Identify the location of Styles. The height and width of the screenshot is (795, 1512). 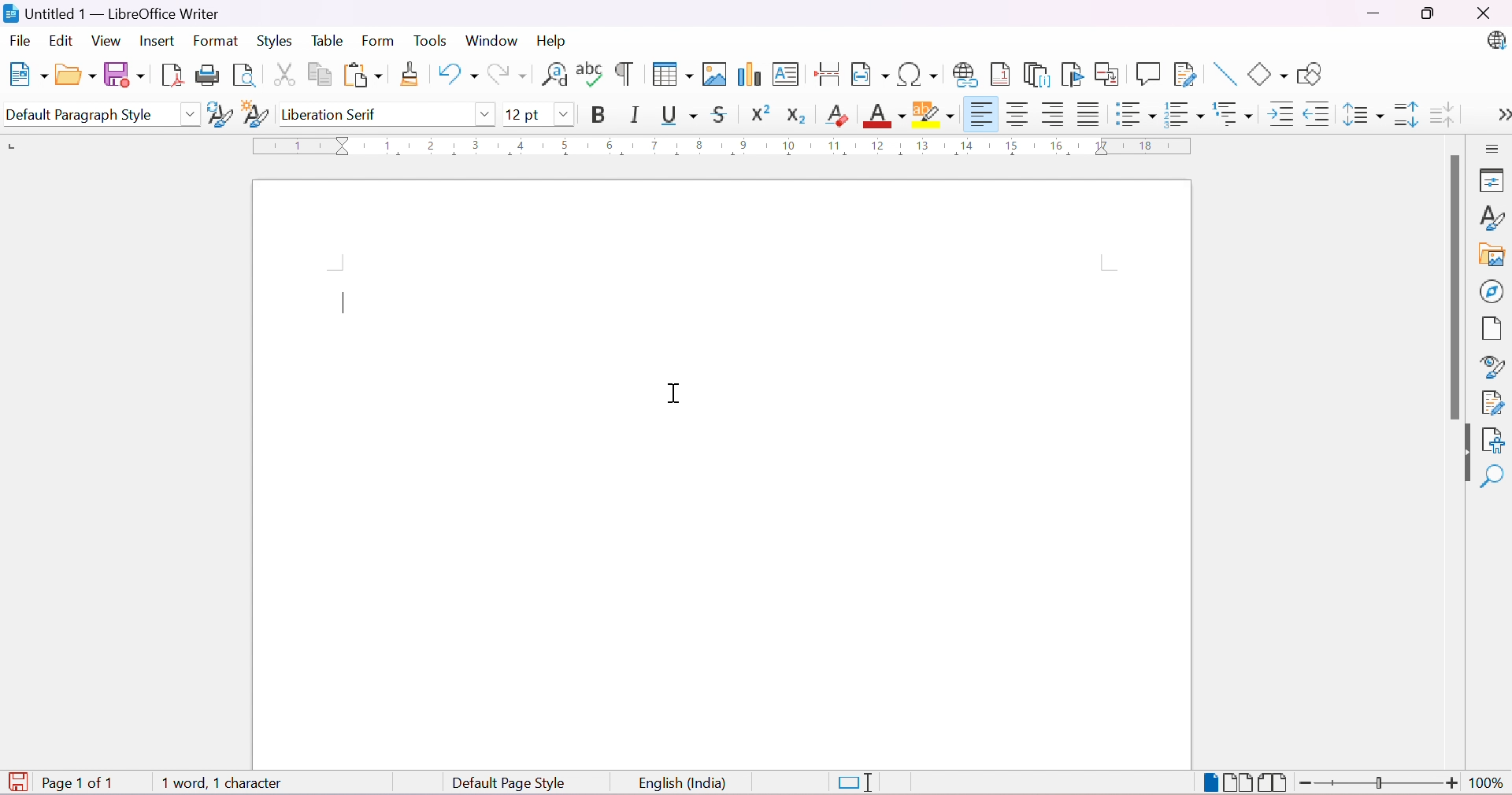
(272, 40).